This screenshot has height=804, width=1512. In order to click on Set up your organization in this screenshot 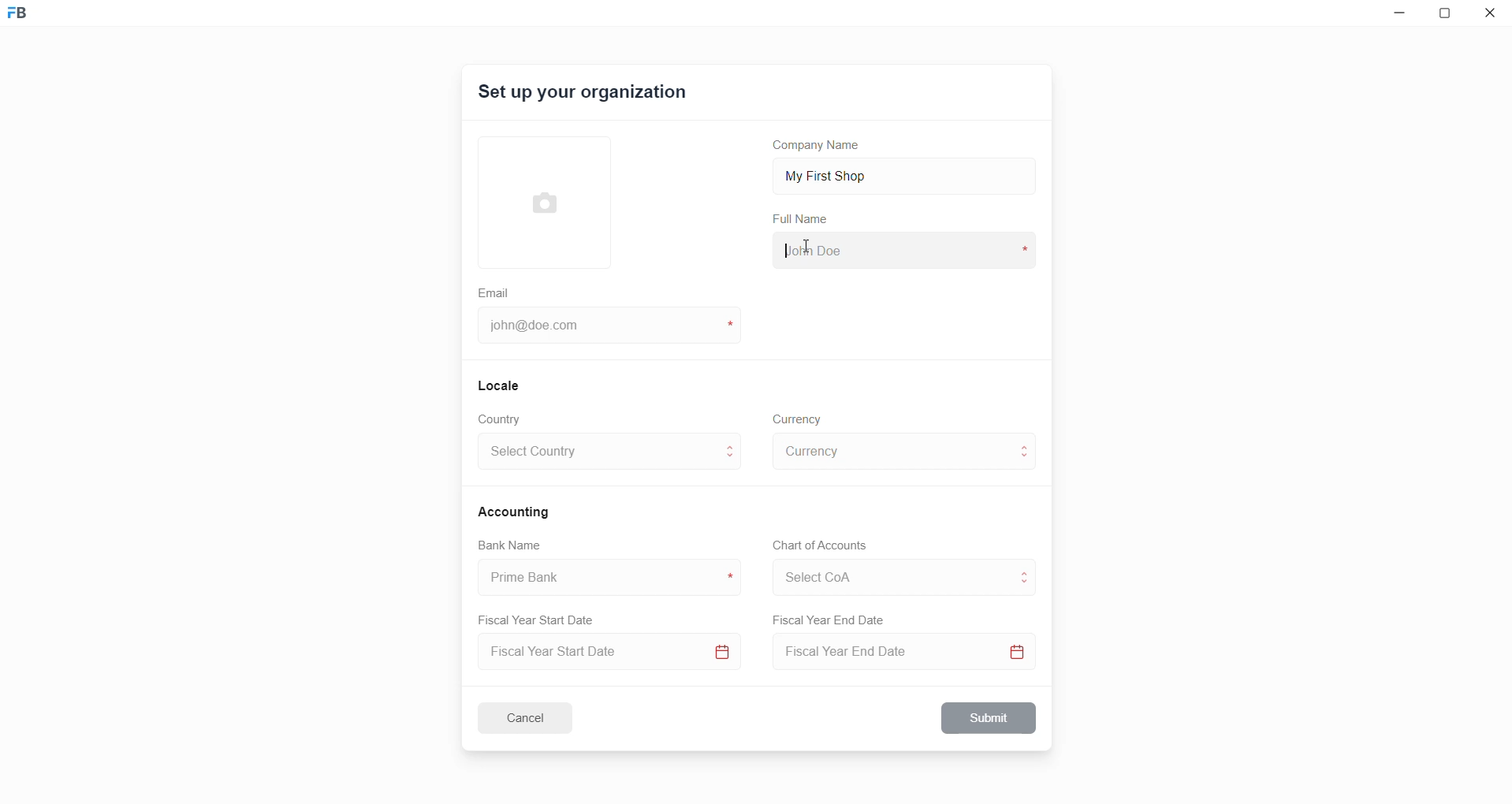, I will do `click(584, 95)`.